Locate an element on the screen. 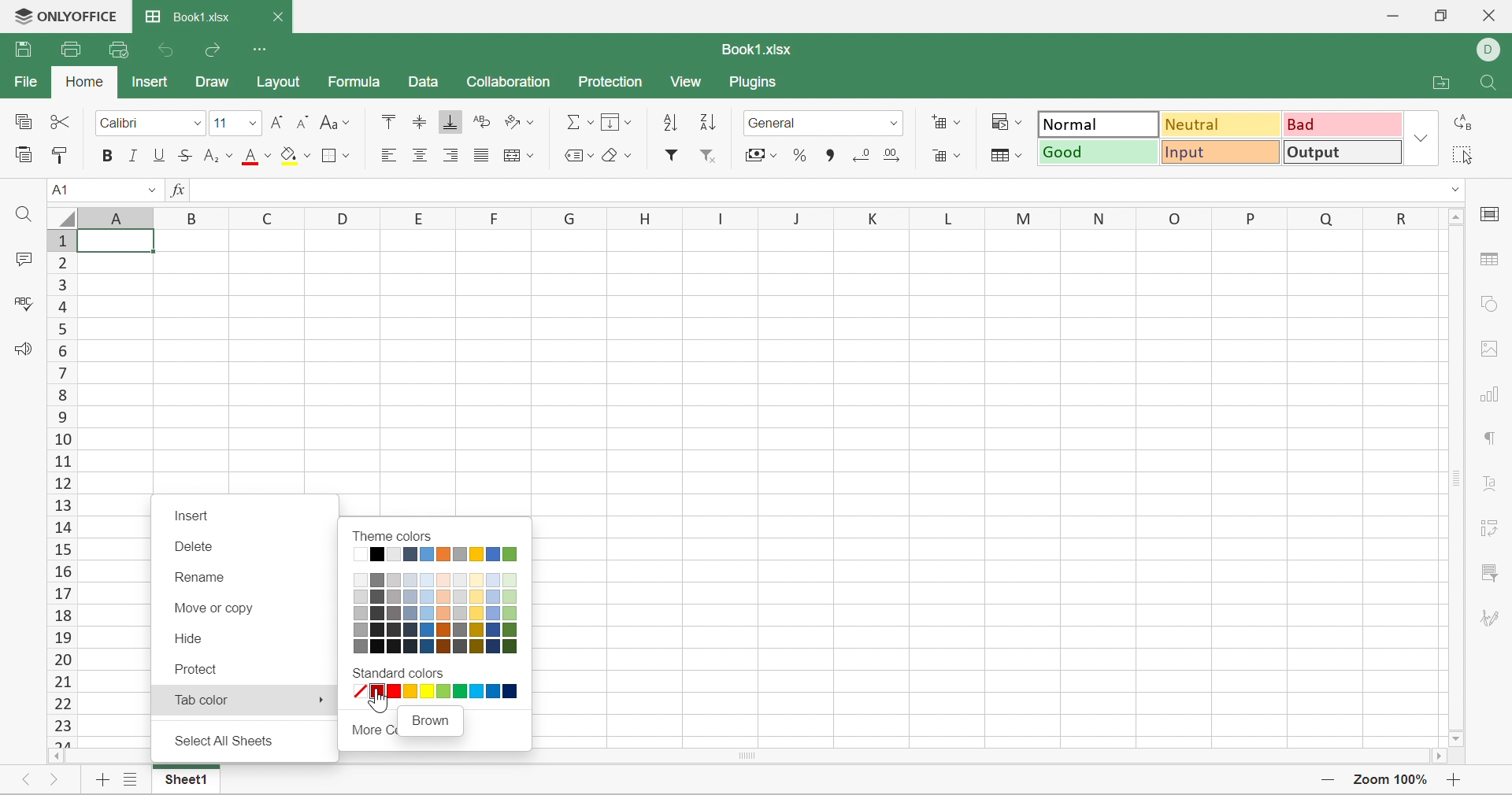 This screenshot has width=1512, height=795. Close is located at coordinates (1488, 15).